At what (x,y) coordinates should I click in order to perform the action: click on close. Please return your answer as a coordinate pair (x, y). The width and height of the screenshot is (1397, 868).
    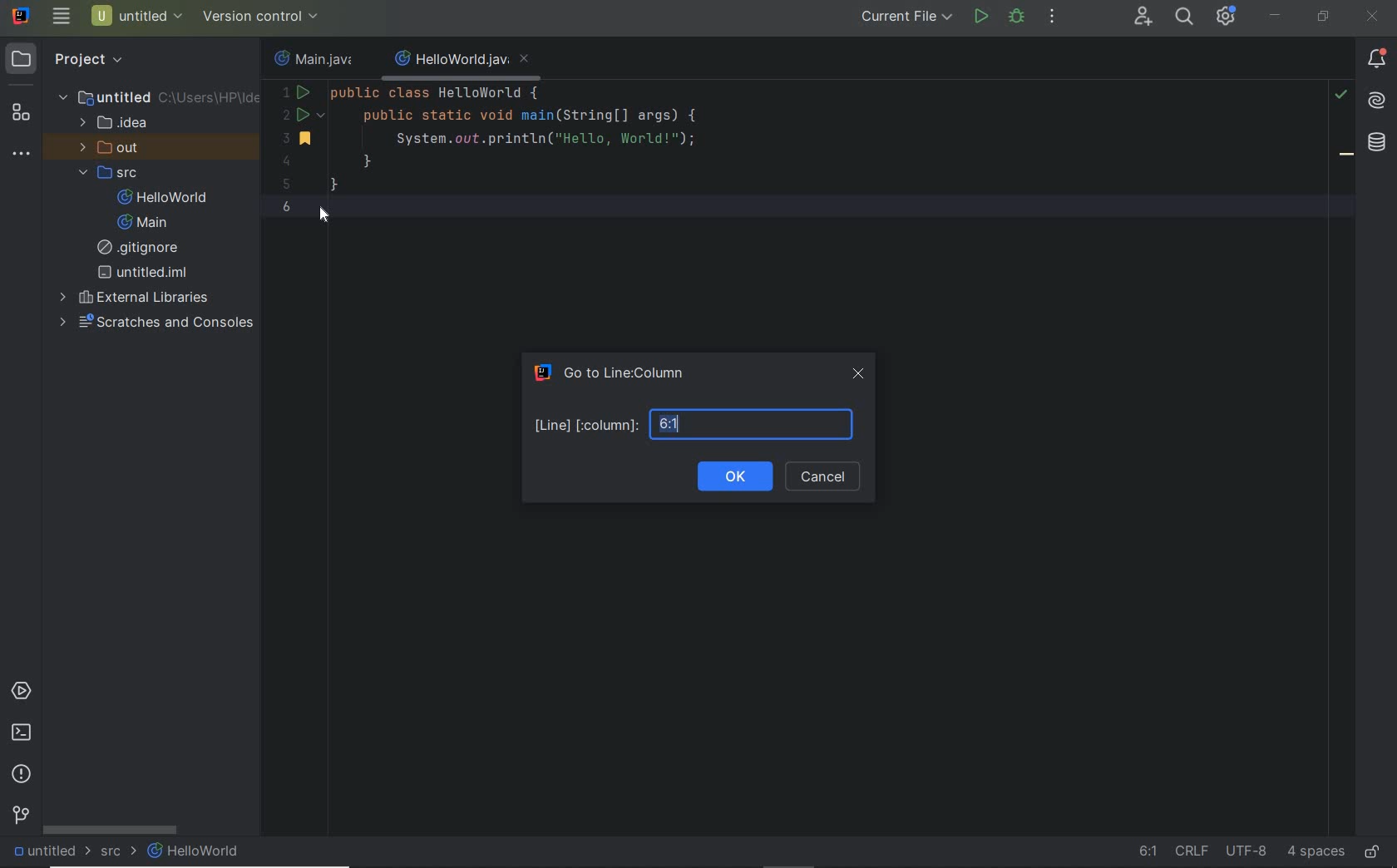
    Looking at the image, I should click on (1375, 18).